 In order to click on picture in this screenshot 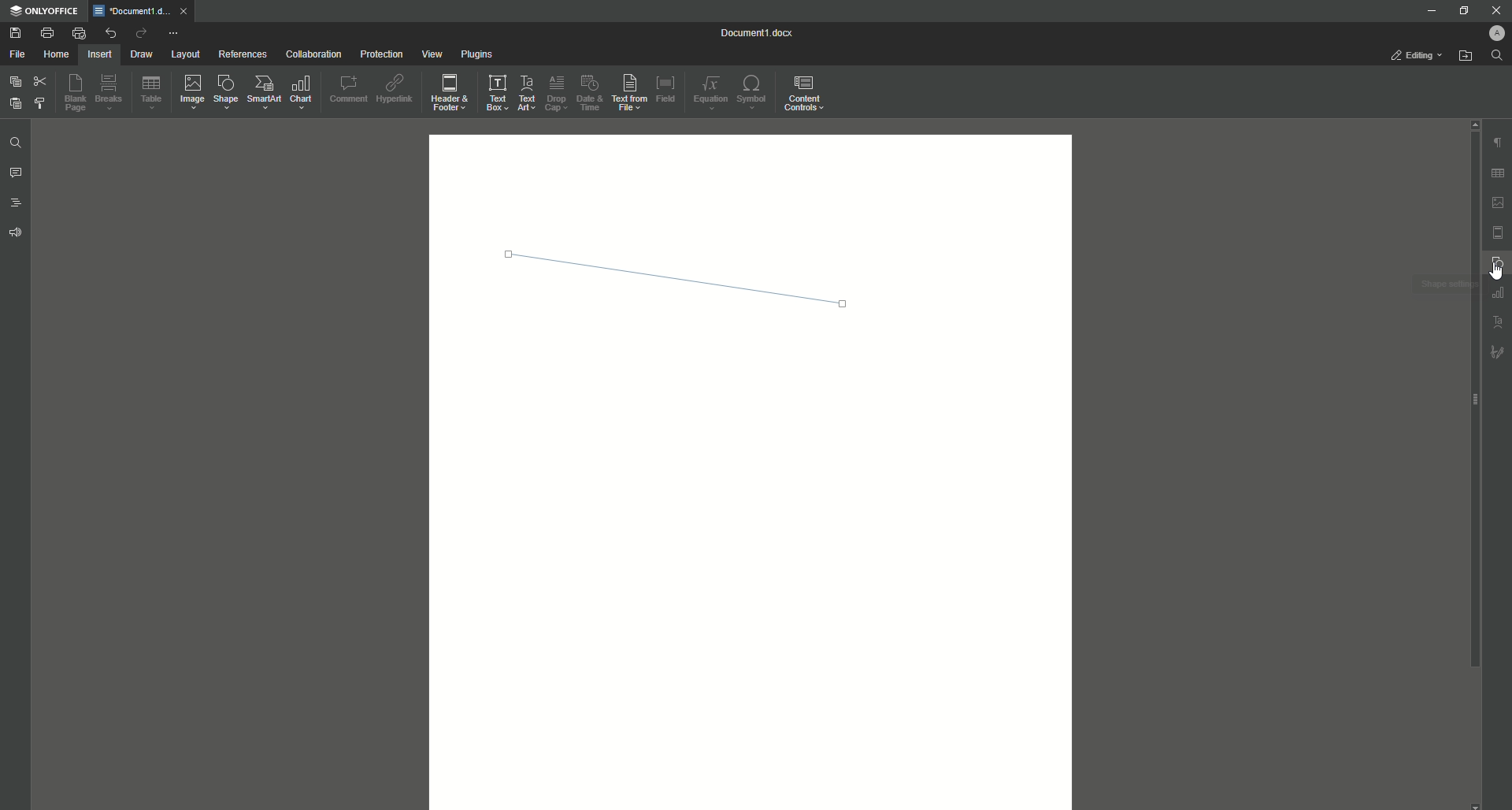, I will do `click(1497, 202)`.